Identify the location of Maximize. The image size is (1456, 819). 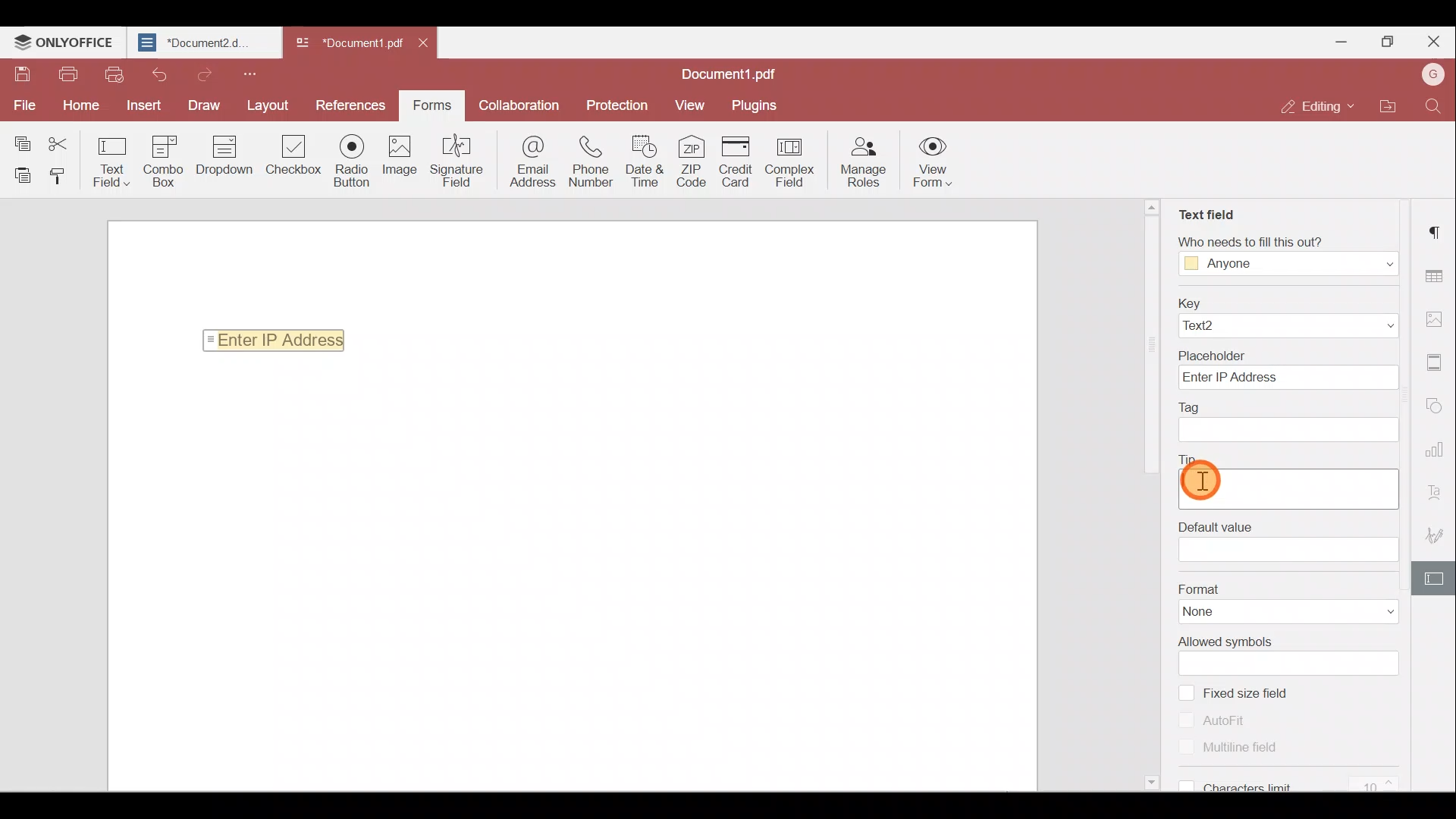
(1387, 38).